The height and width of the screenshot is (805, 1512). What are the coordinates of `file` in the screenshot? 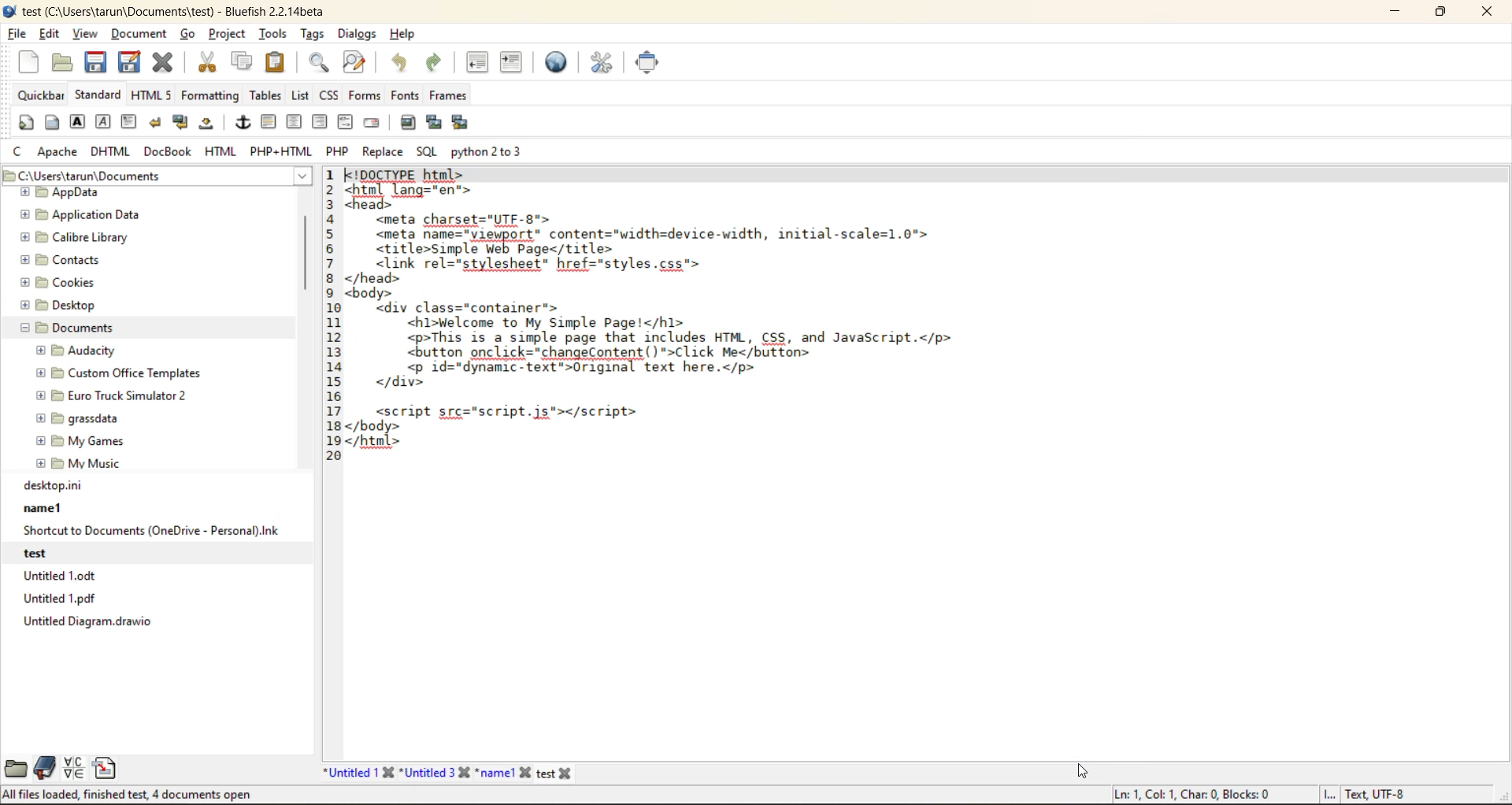 It's located at (18, 35).